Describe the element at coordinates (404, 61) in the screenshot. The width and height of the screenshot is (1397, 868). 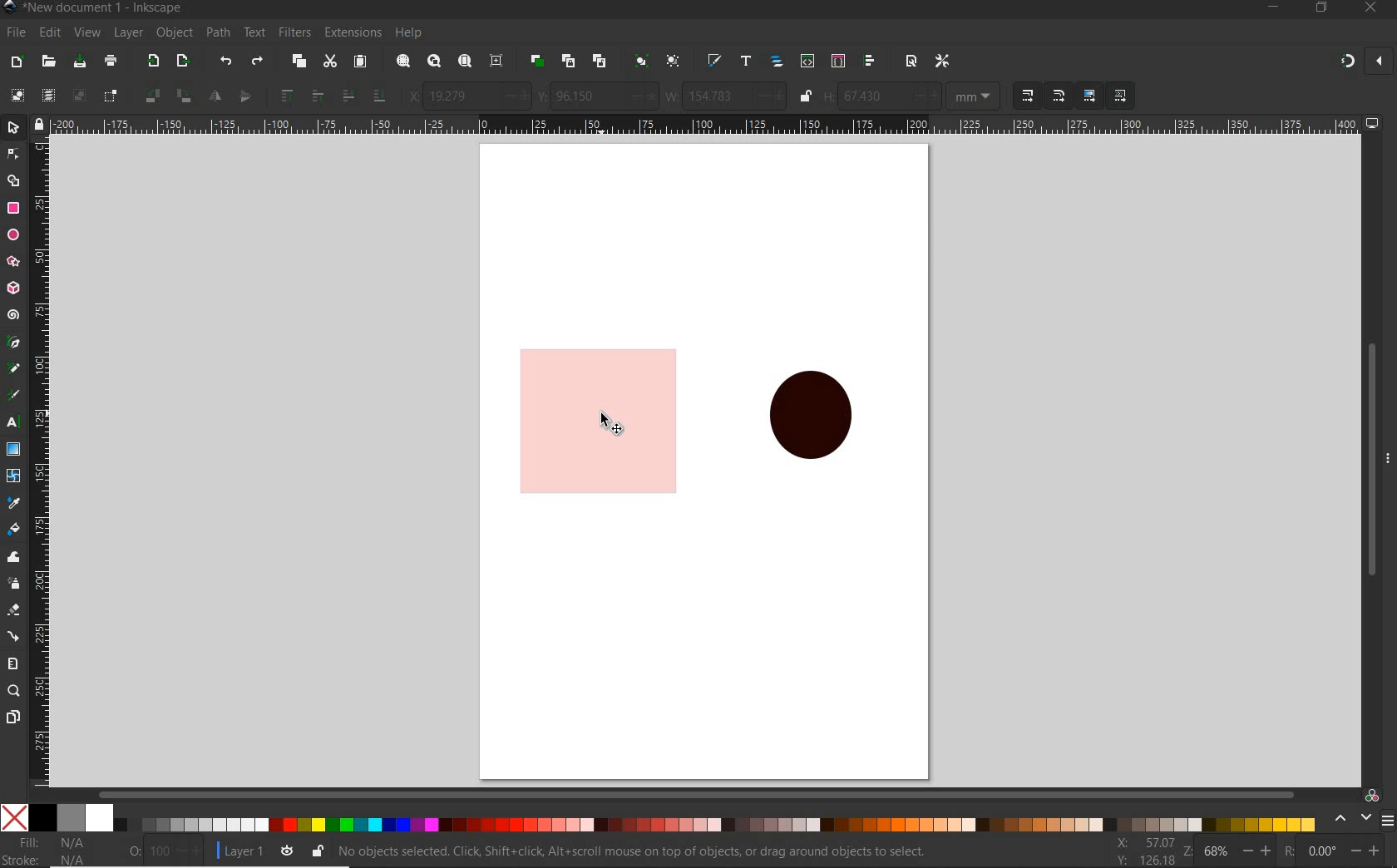
I see `zoom selection` at that location.